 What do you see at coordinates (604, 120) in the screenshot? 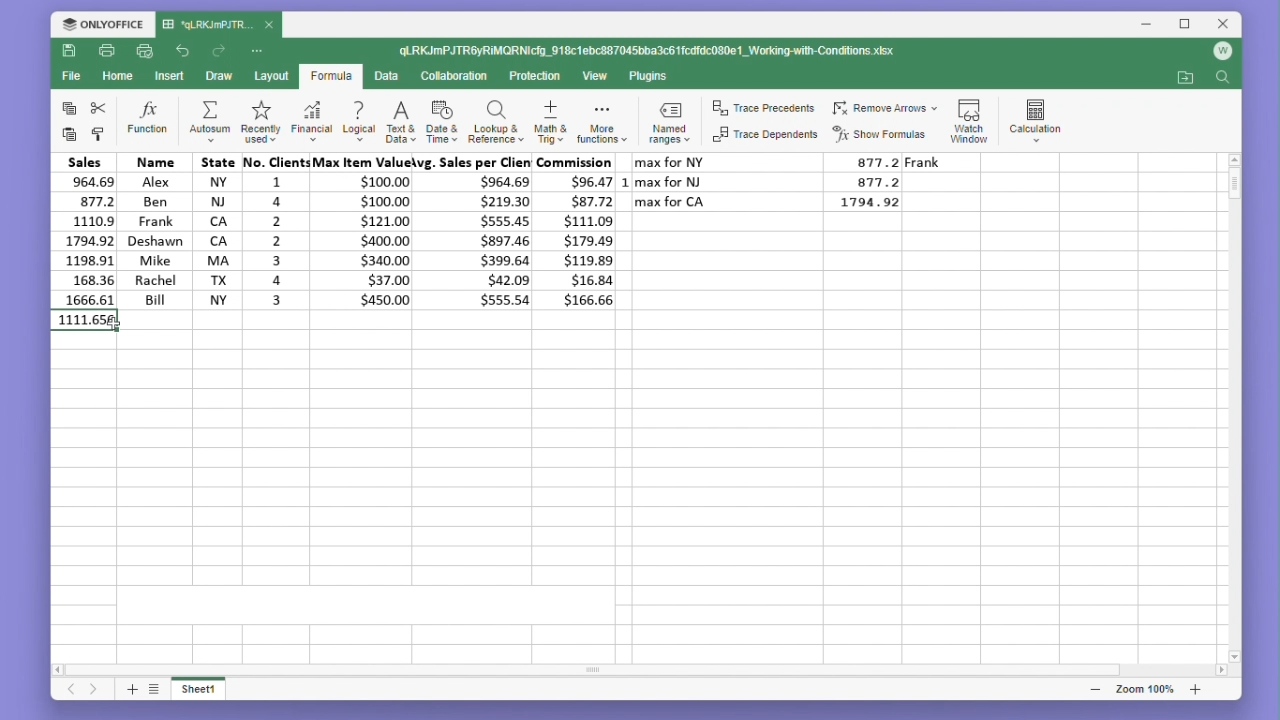
I see `More functions` at bounding box center [604, 120].